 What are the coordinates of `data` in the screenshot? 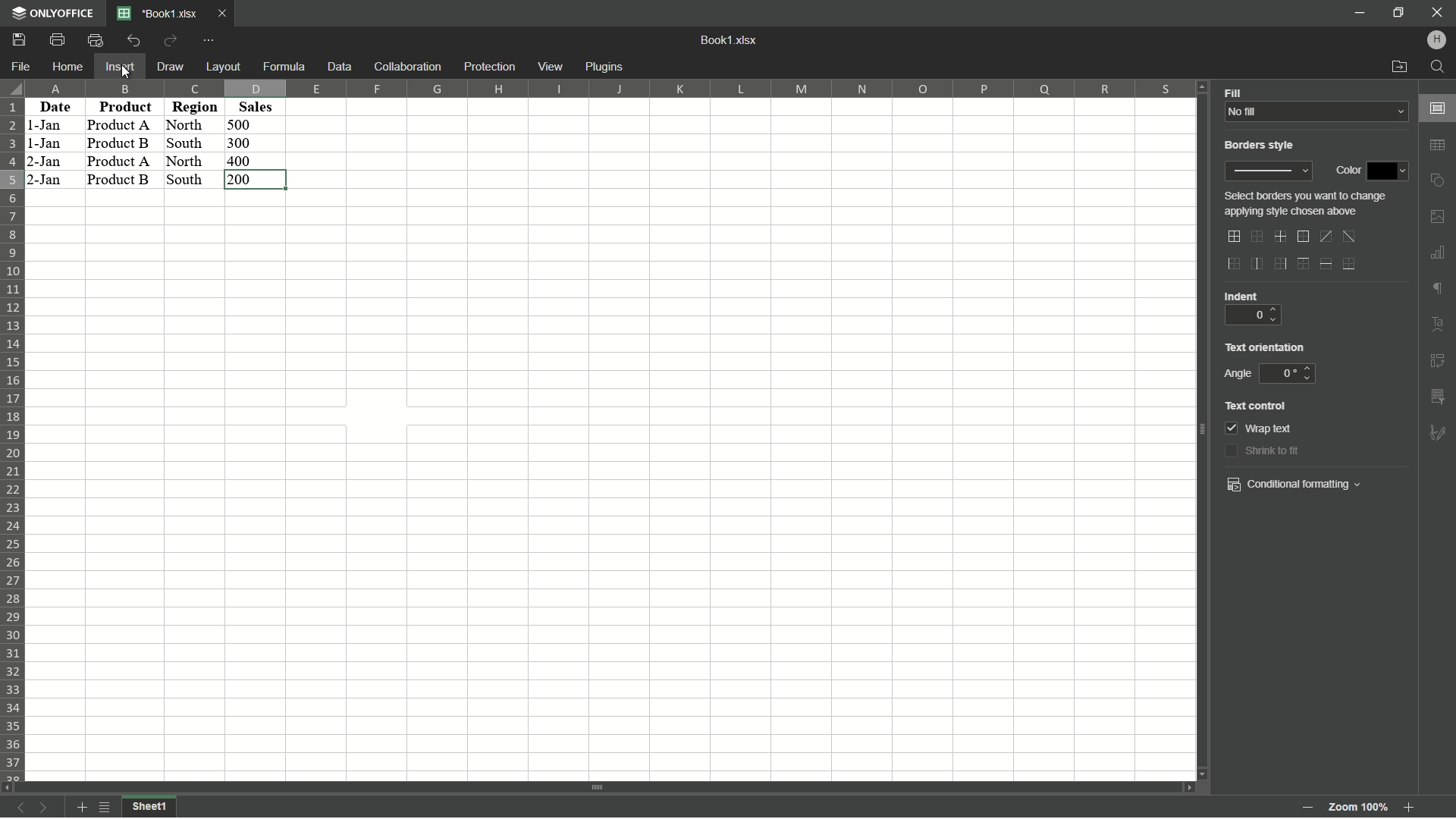 It's located at (161, 146).